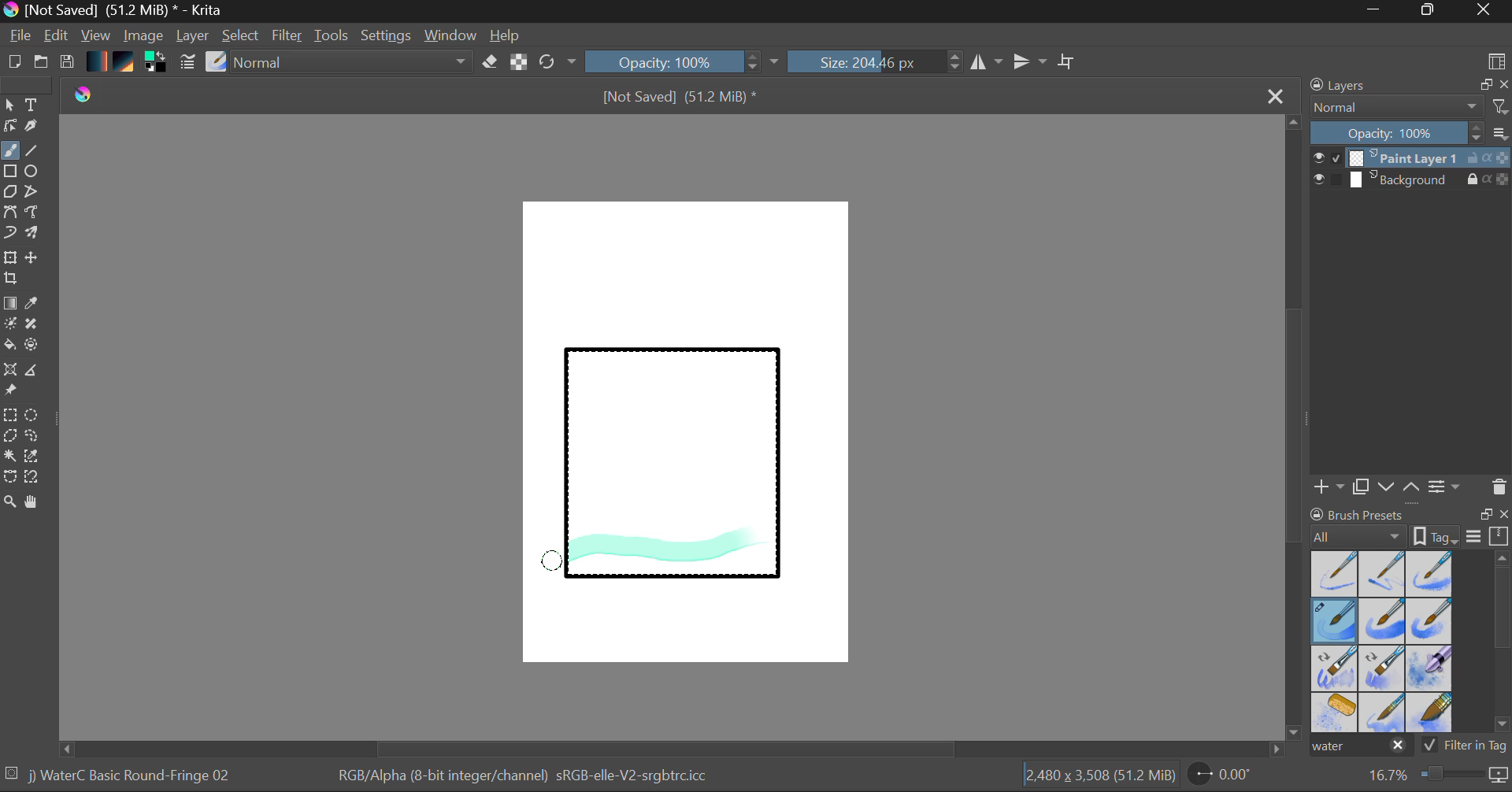  What do you see at coordinates (1295, 429) in the screenshot?
I see `Scroll Bar` at bounding box center [1295, 429].